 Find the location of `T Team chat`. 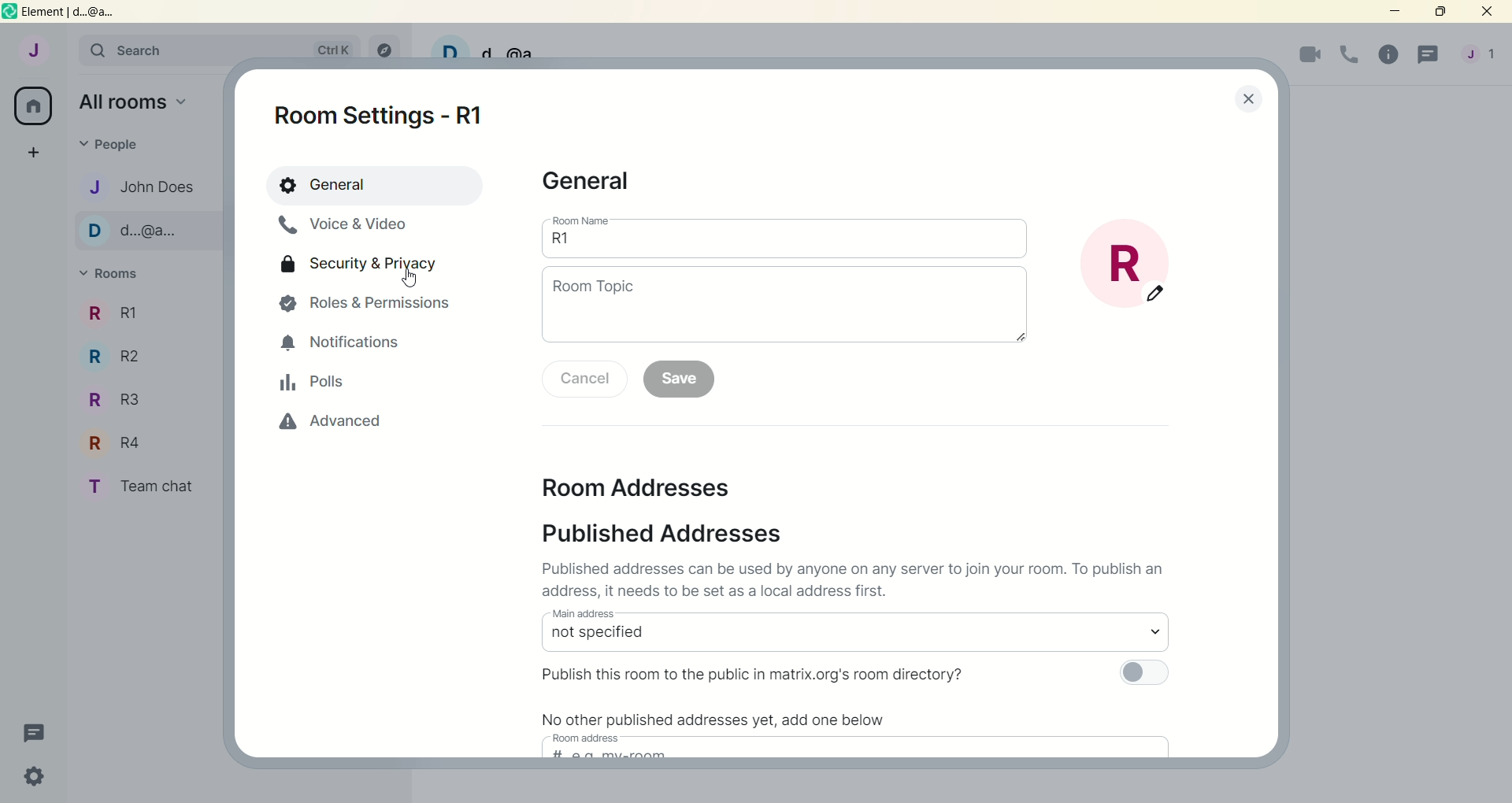

T Team chat is located at coordinates (146, 487).